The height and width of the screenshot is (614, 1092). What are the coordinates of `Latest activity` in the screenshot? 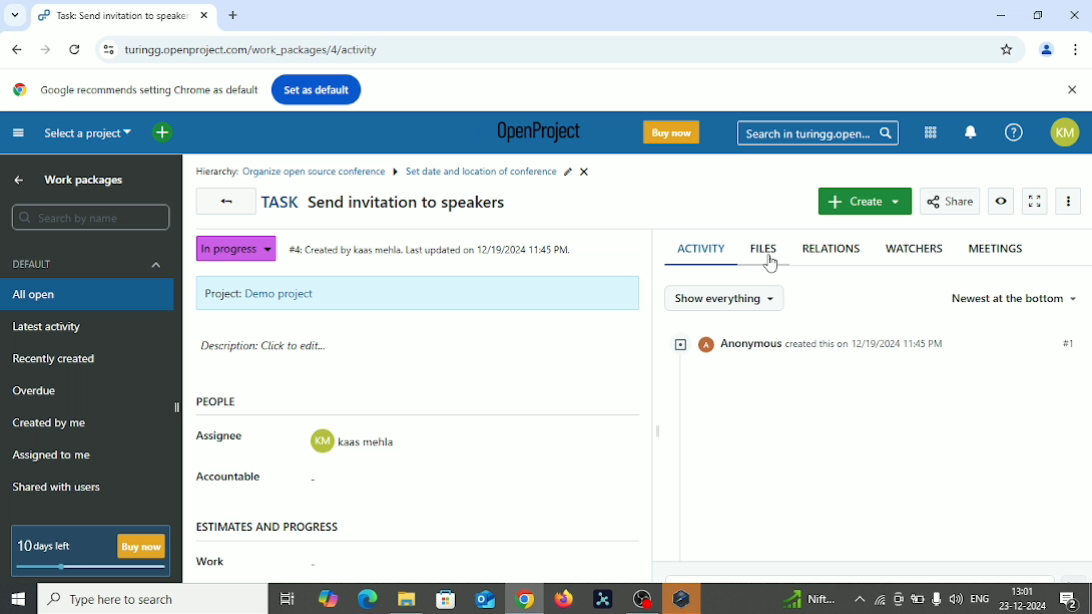 It's located at (48, 327).